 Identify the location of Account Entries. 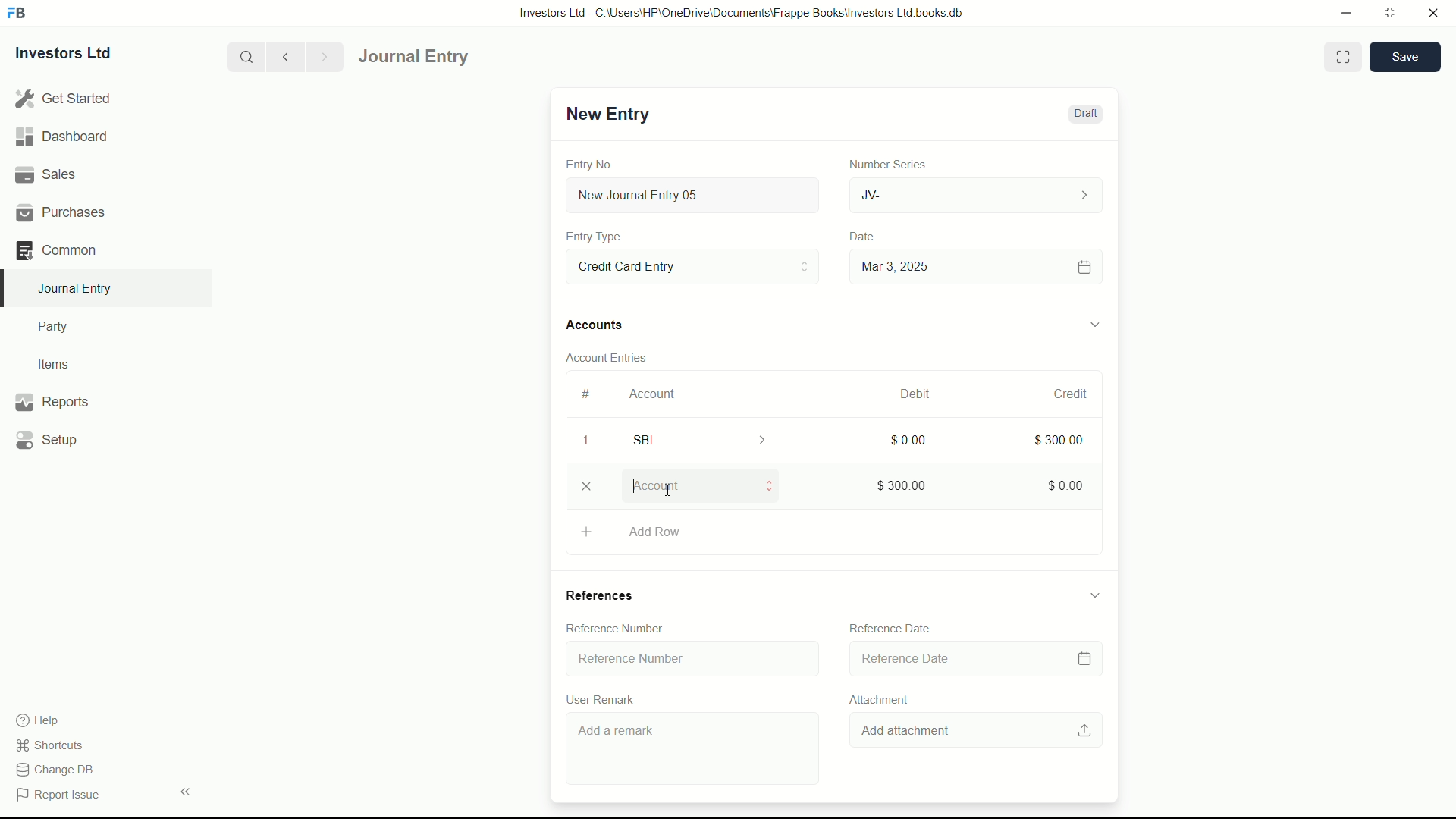
(613, 355).